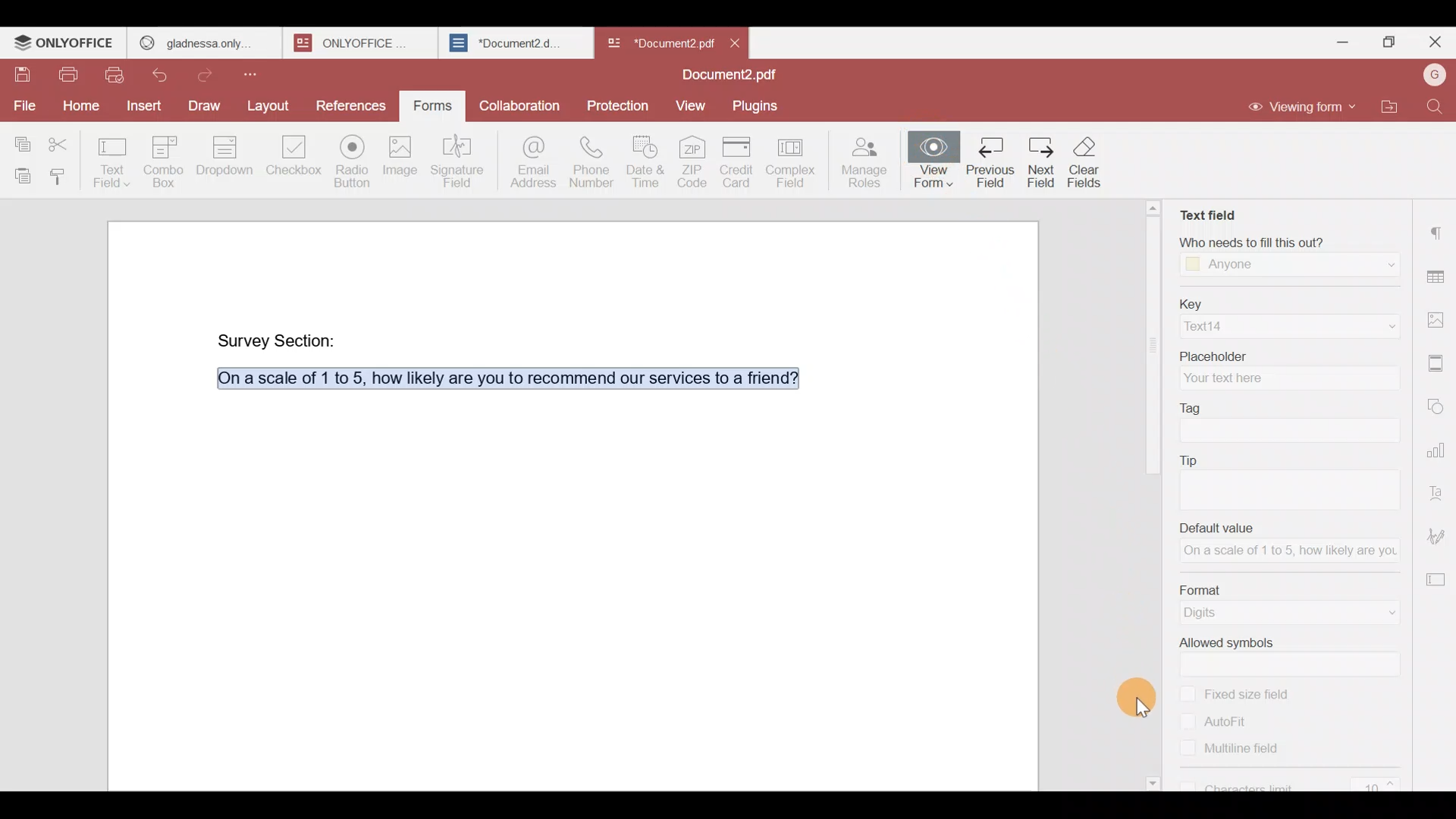 The height and width of the screenshot is (819, 1456). Describe the element at coordinates (1439, 367) in the screenshot. I see `Header & footer settings` at that location.